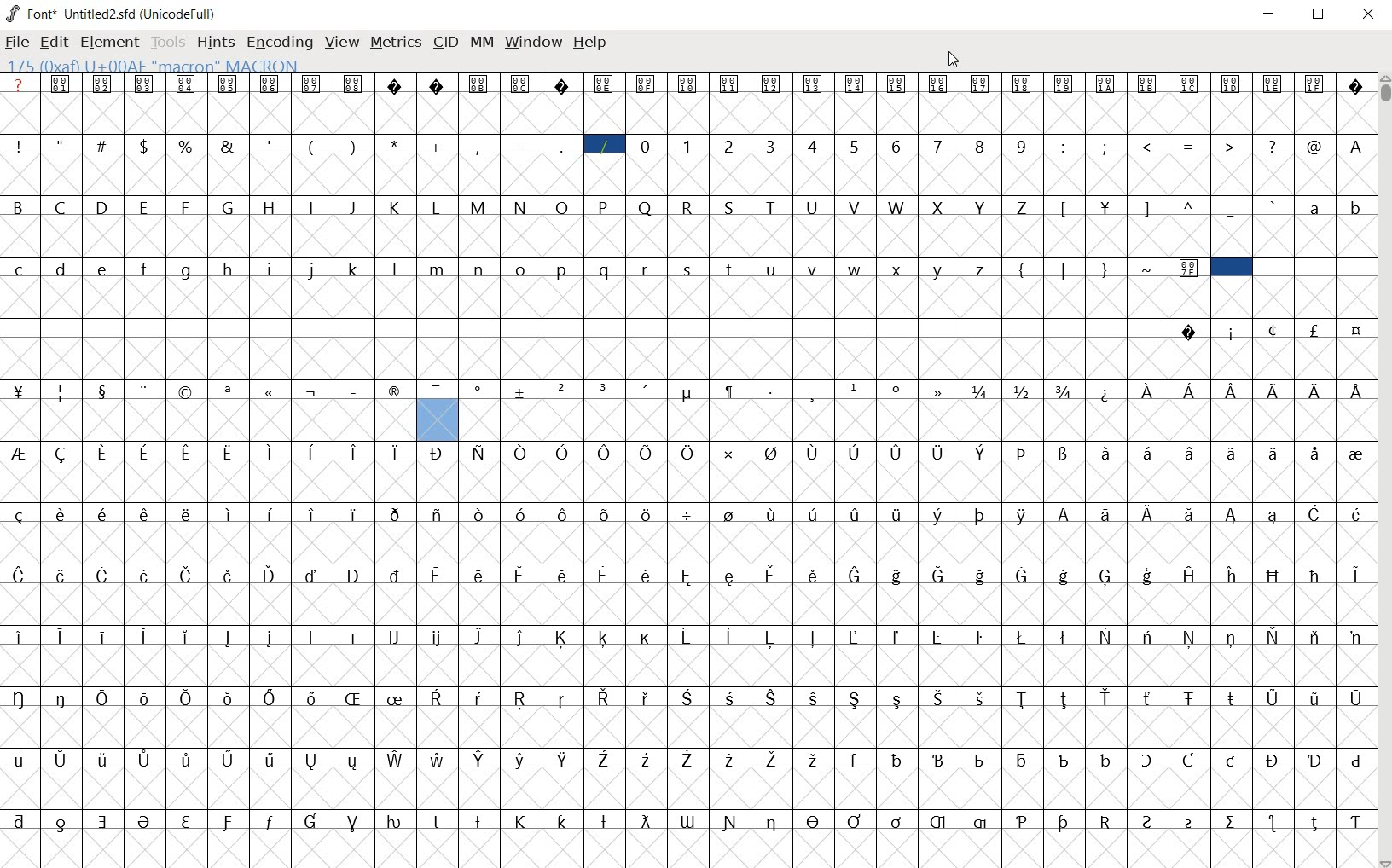  What do you see at coordinates (63, 392) in the screenshot?
I see `Symbol` at bounding box center [63, 392].